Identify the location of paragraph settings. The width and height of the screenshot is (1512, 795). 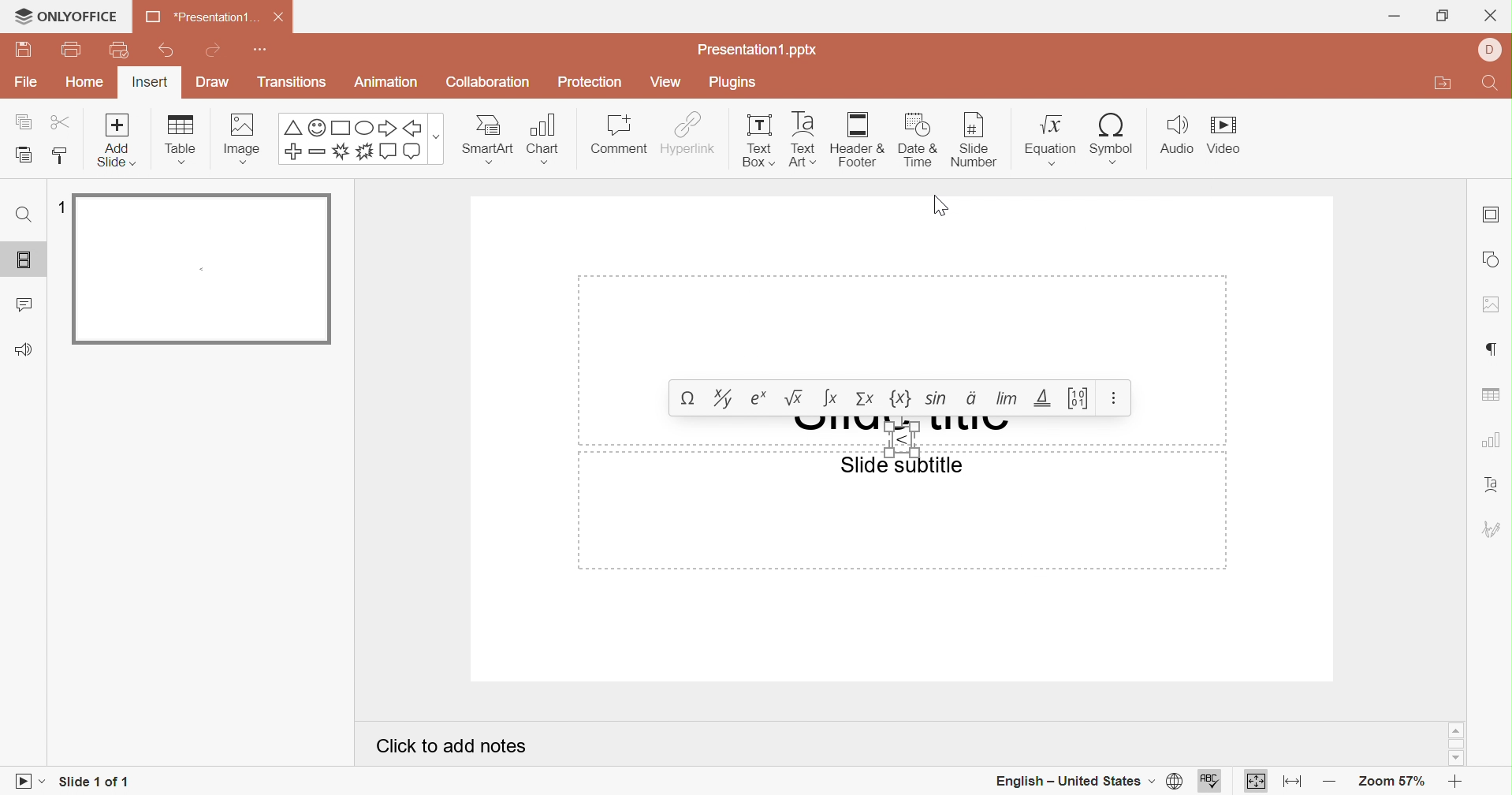
(1490, 348).